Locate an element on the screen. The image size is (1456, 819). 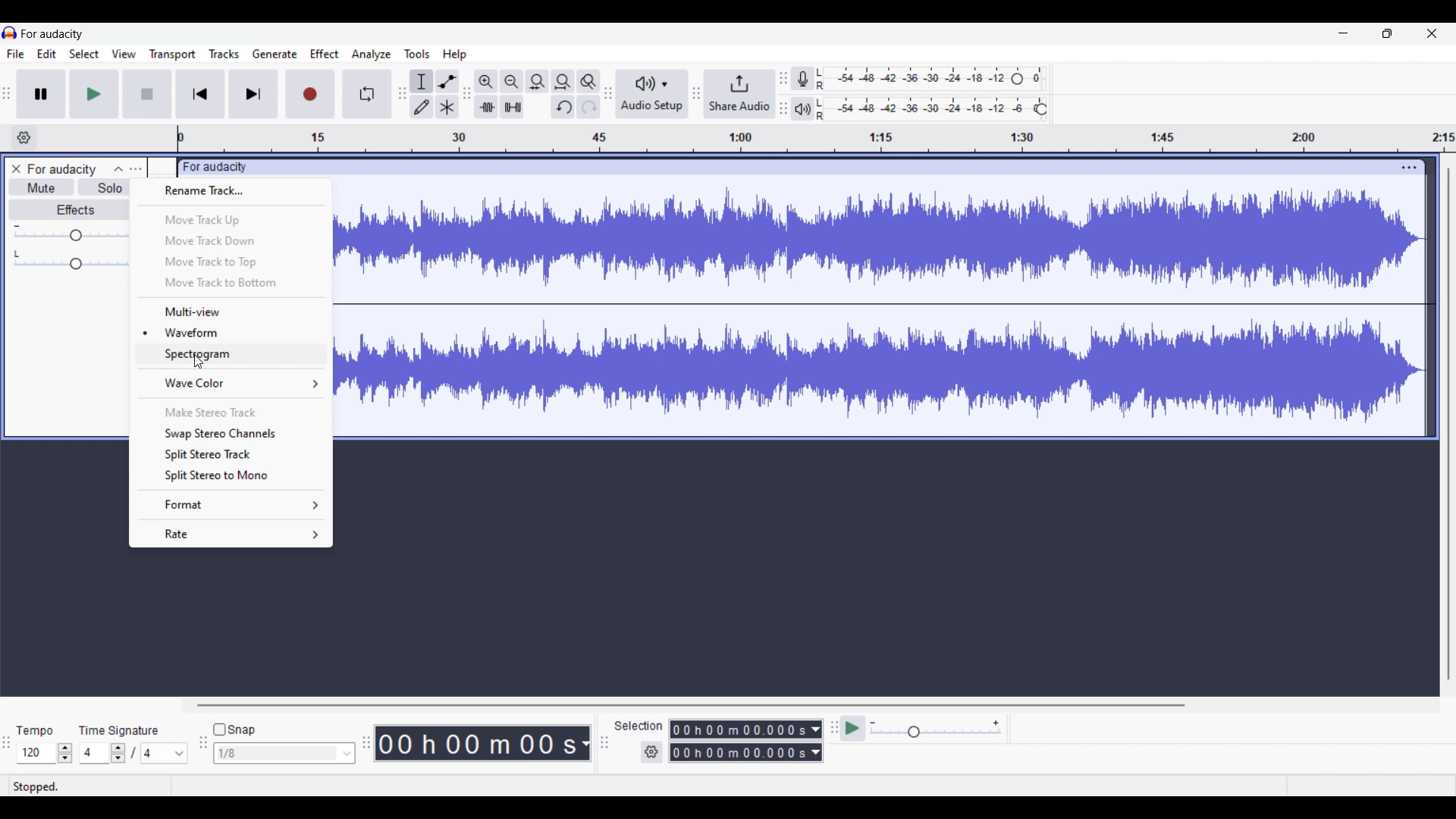
Playback meter is located at coordinates (803, 108).